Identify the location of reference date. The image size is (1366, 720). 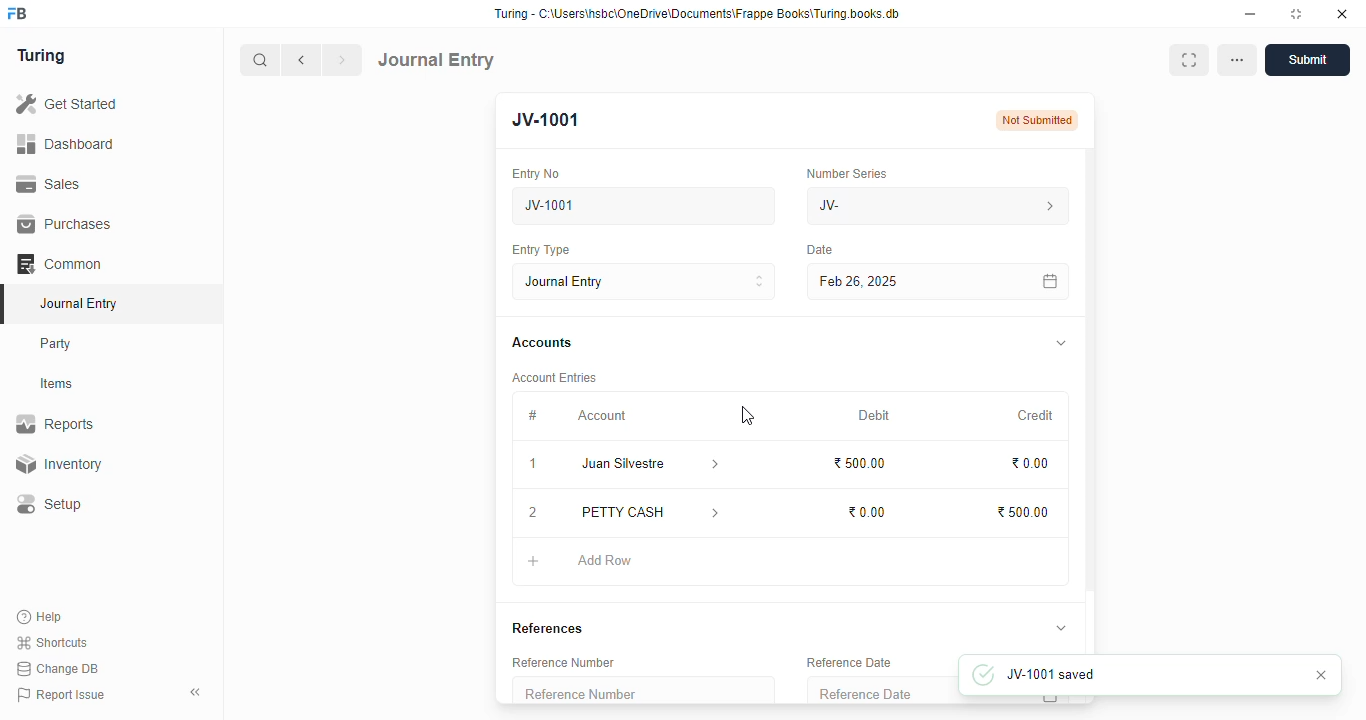
(882, 691).